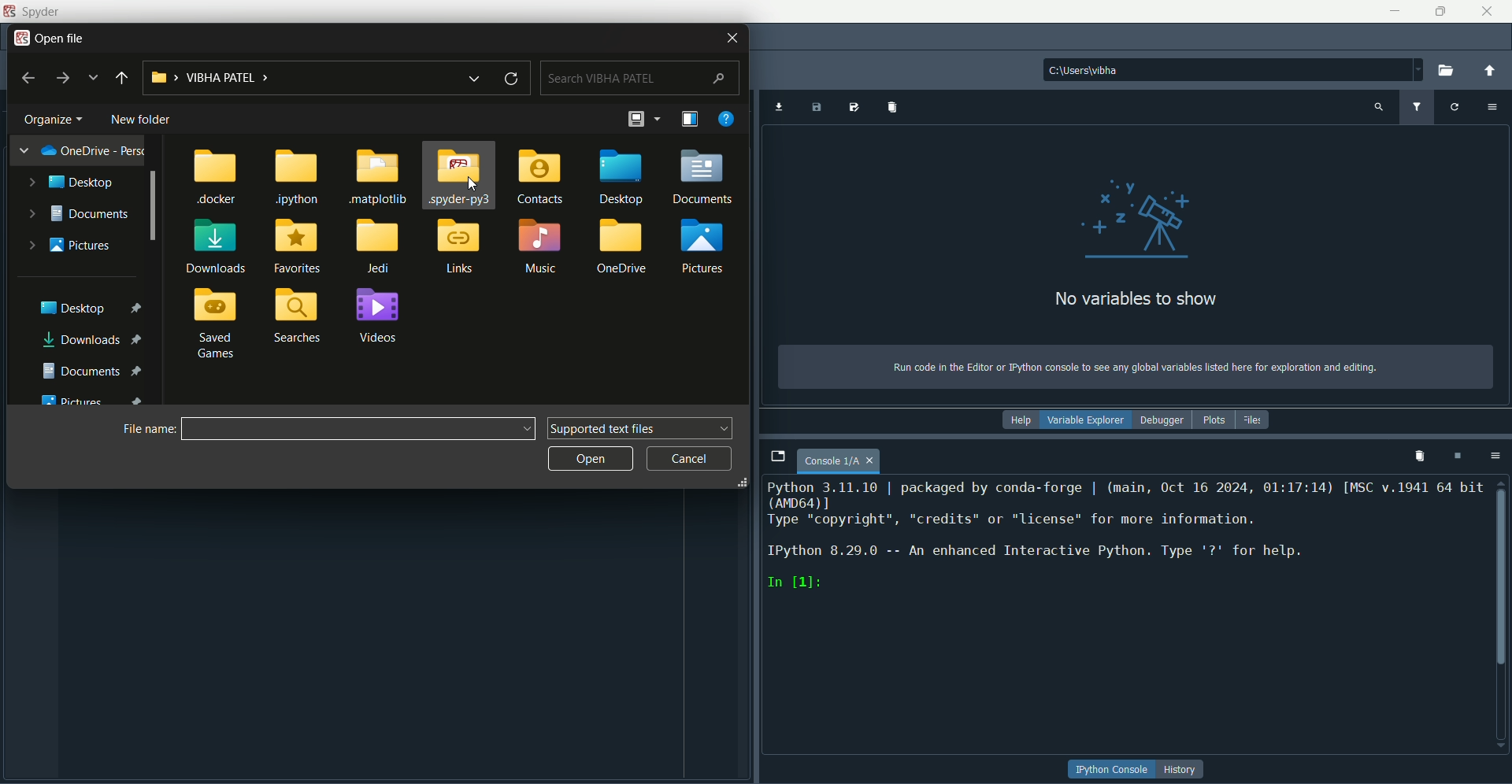 This screenshot has width=1512, height=784. What do you see at coordinates (297, 246) in the screenshot?
I see `folder` at bounding box center [297, 246].